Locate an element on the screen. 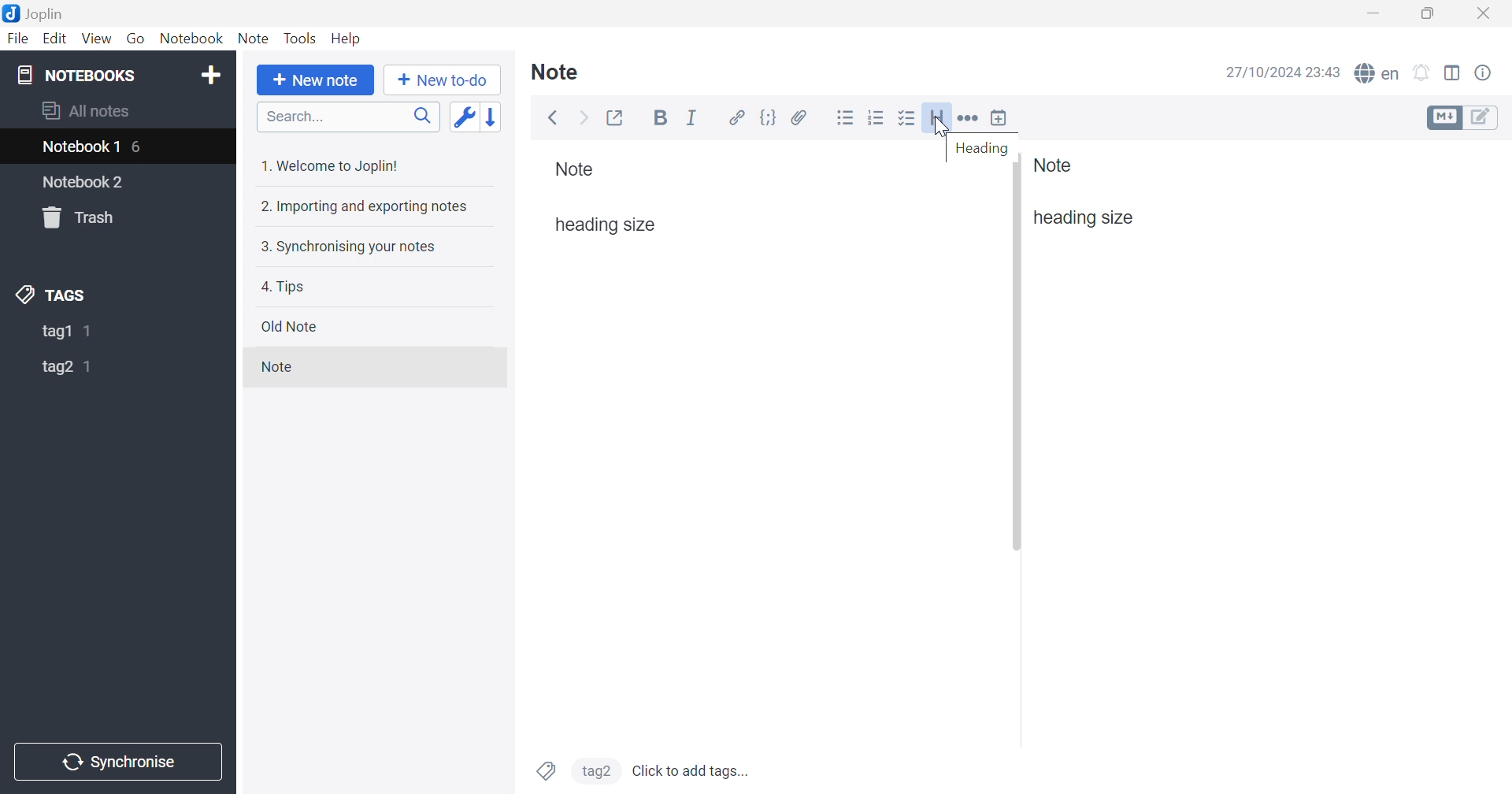  Code is located at coordinates (769, 118).